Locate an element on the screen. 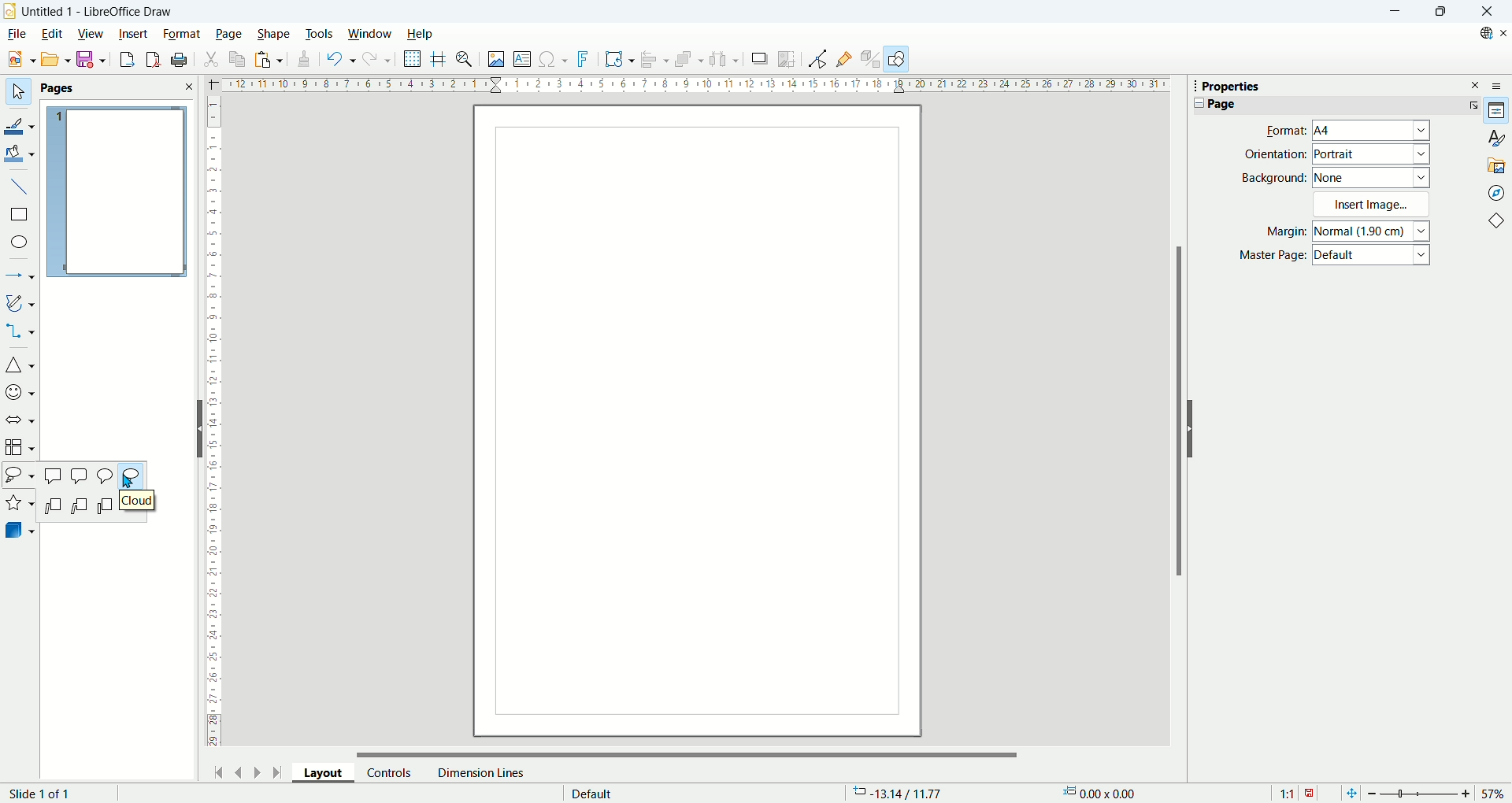 Image resolution: width=1512 pixels, height=803 pixels. undo is located at coordinates (338, 59).